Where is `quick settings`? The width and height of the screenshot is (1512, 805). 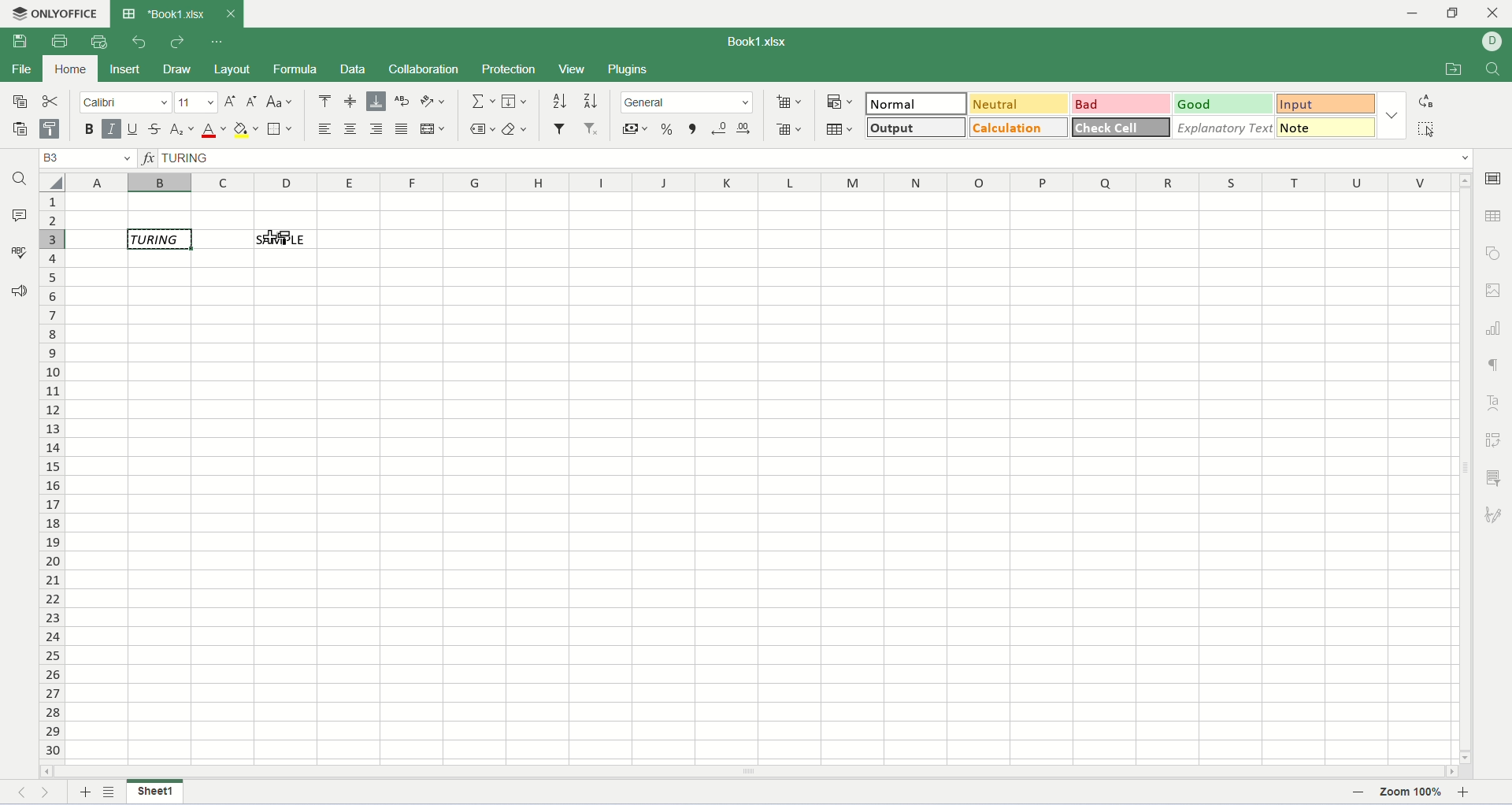
quick settings is located at coordinates (217, 43).